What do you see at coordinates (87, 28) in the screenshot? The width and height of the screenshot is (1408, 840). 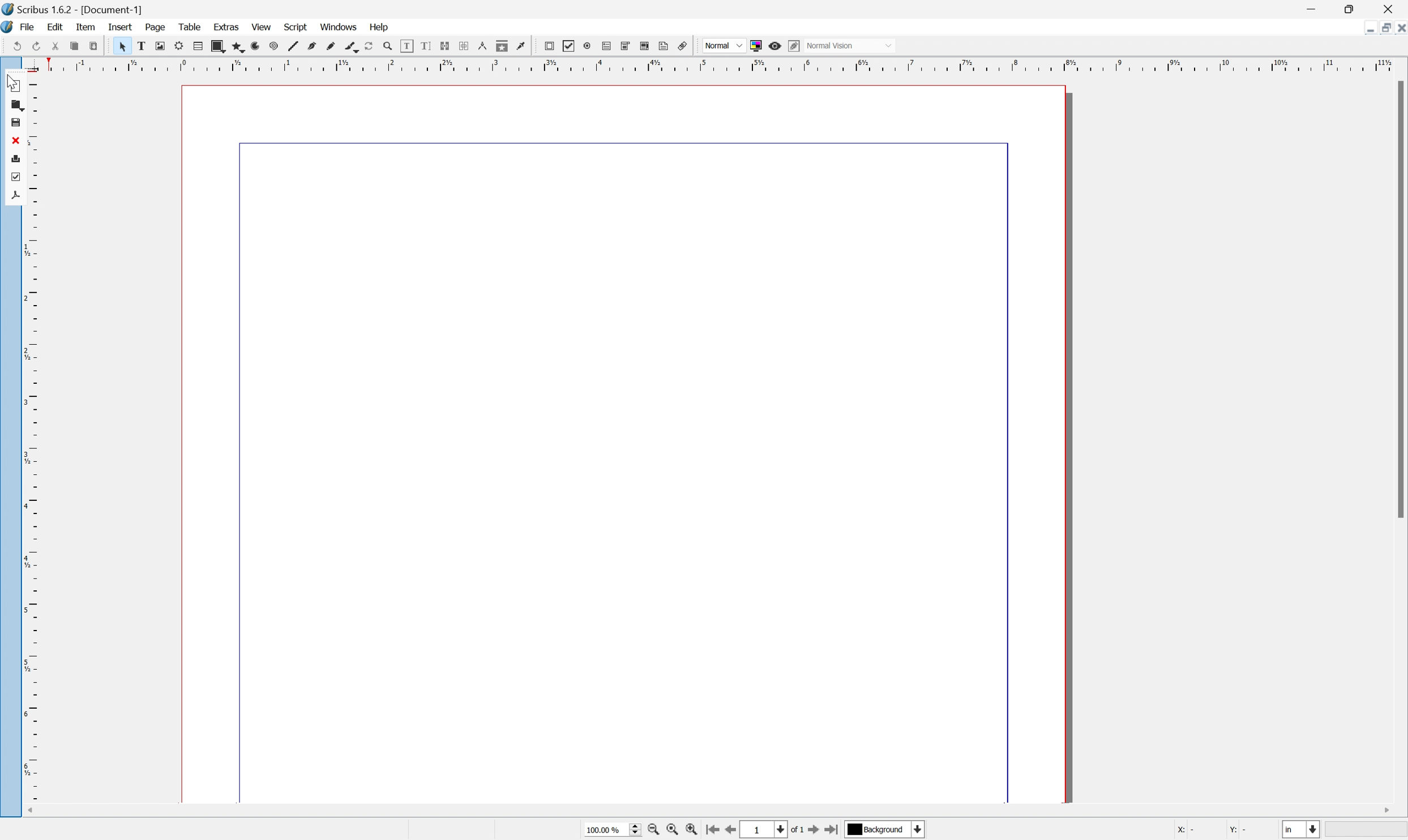 I see `item` at bounding box center [87, 28].